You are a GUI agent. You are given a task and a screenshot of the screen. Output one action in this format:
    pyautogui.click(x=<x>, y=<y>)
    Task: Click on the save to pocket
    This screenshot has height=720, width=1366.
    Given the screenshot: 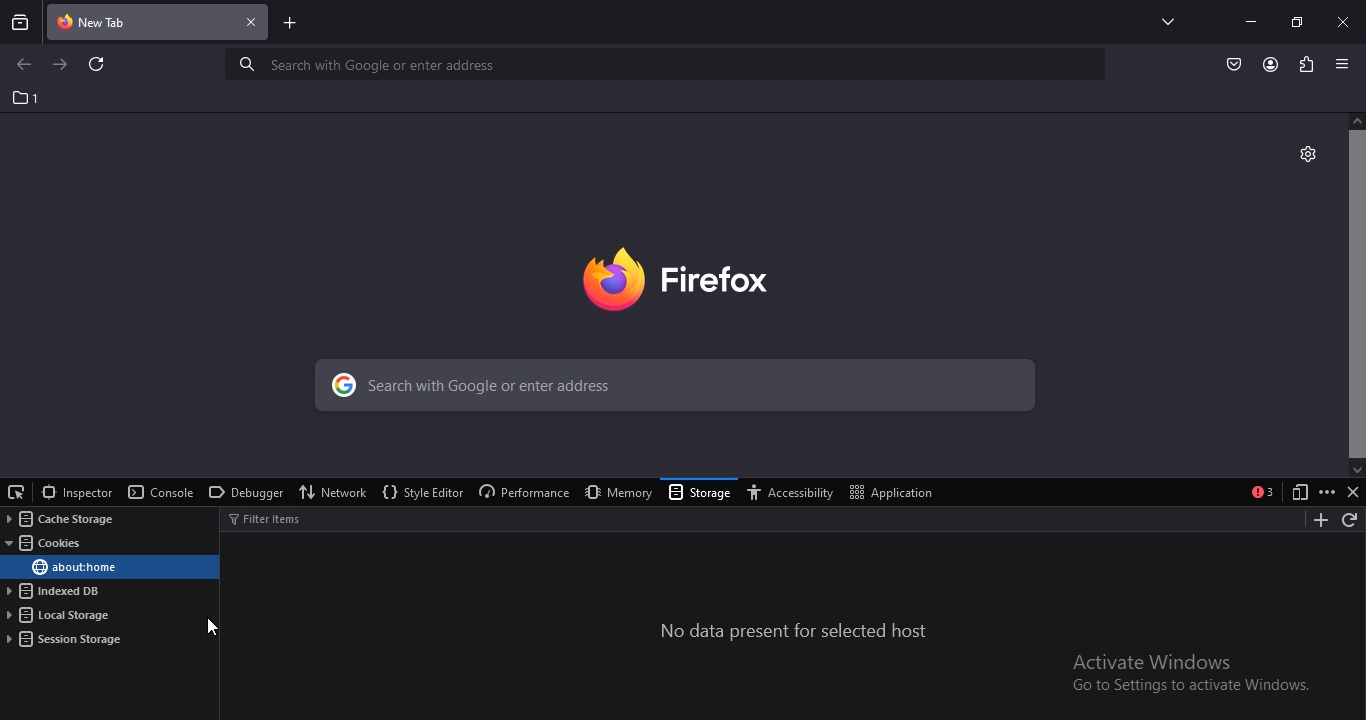 What is the action you would take?
    pyautogui.click(x=1235, y=63)
    